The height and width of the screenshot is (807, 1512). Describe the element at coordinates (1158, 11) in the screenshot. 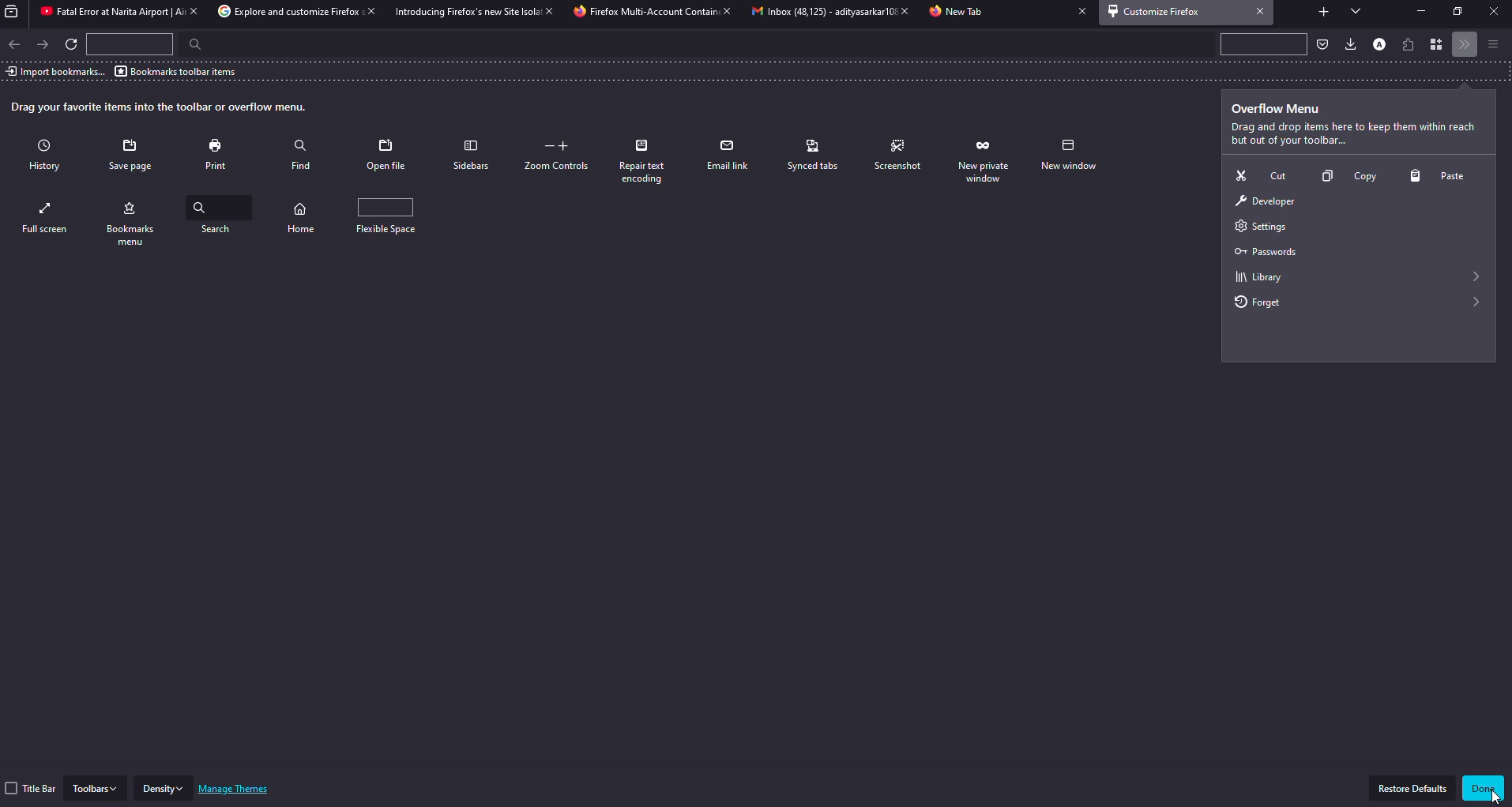

I see `customize` at that location.